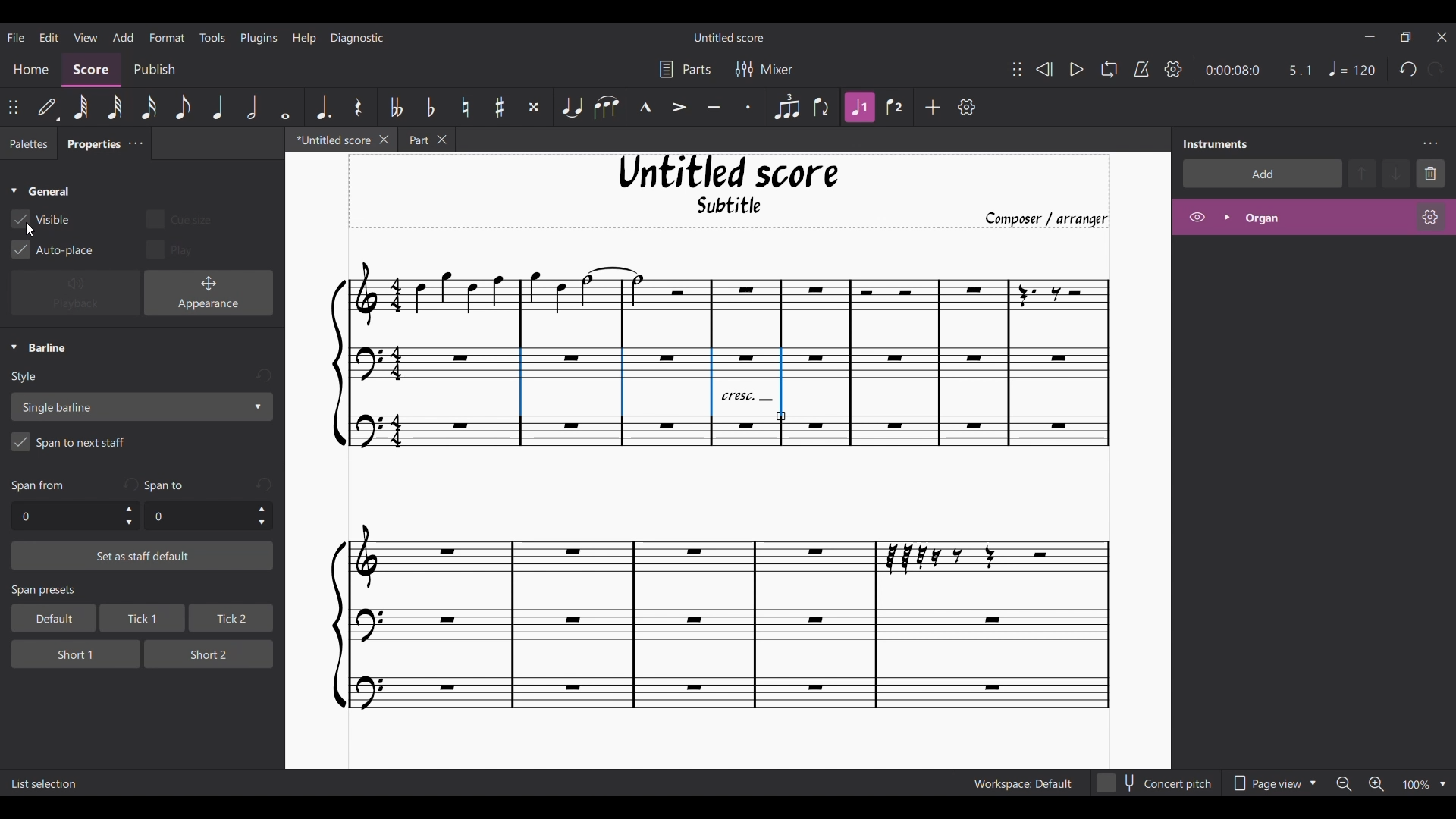 This screenshot has width=1456, height=819. I want to click on Default, so click(48, 108).